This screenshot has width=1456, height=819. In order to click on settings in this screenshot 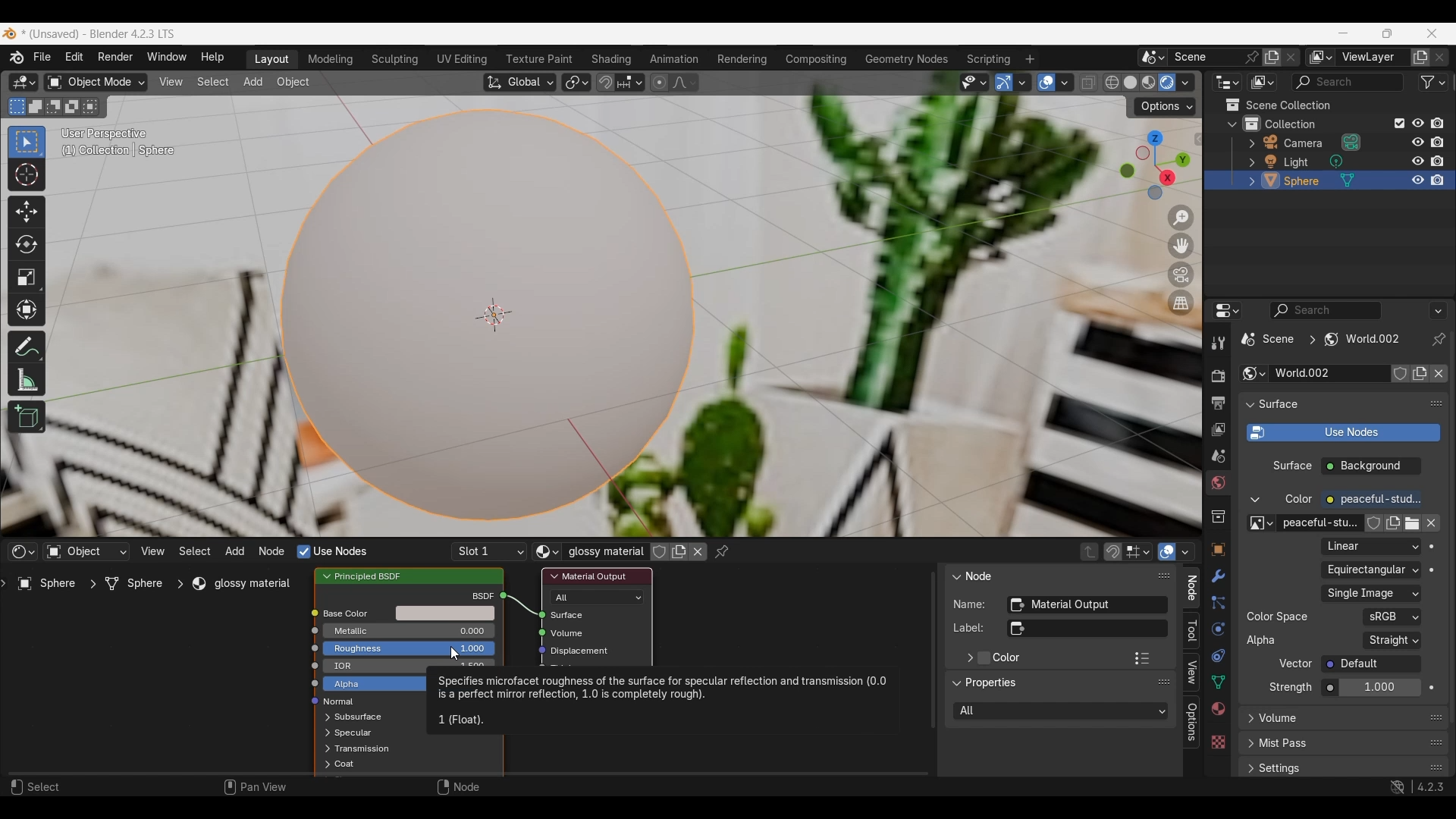, I will do `click(1283, 769)`.